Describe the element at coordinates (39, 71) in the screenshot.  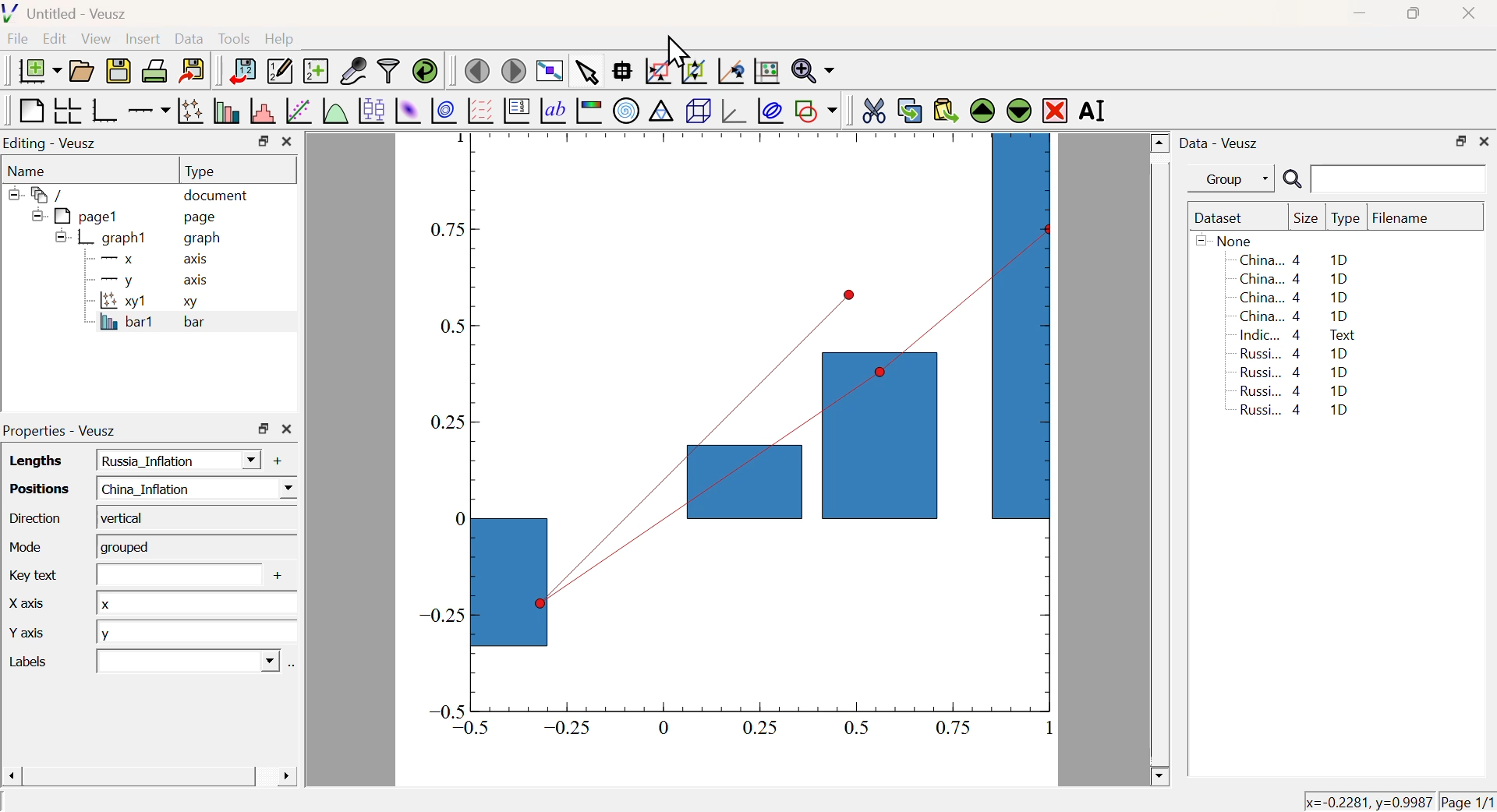
I see `New Document` at that location.